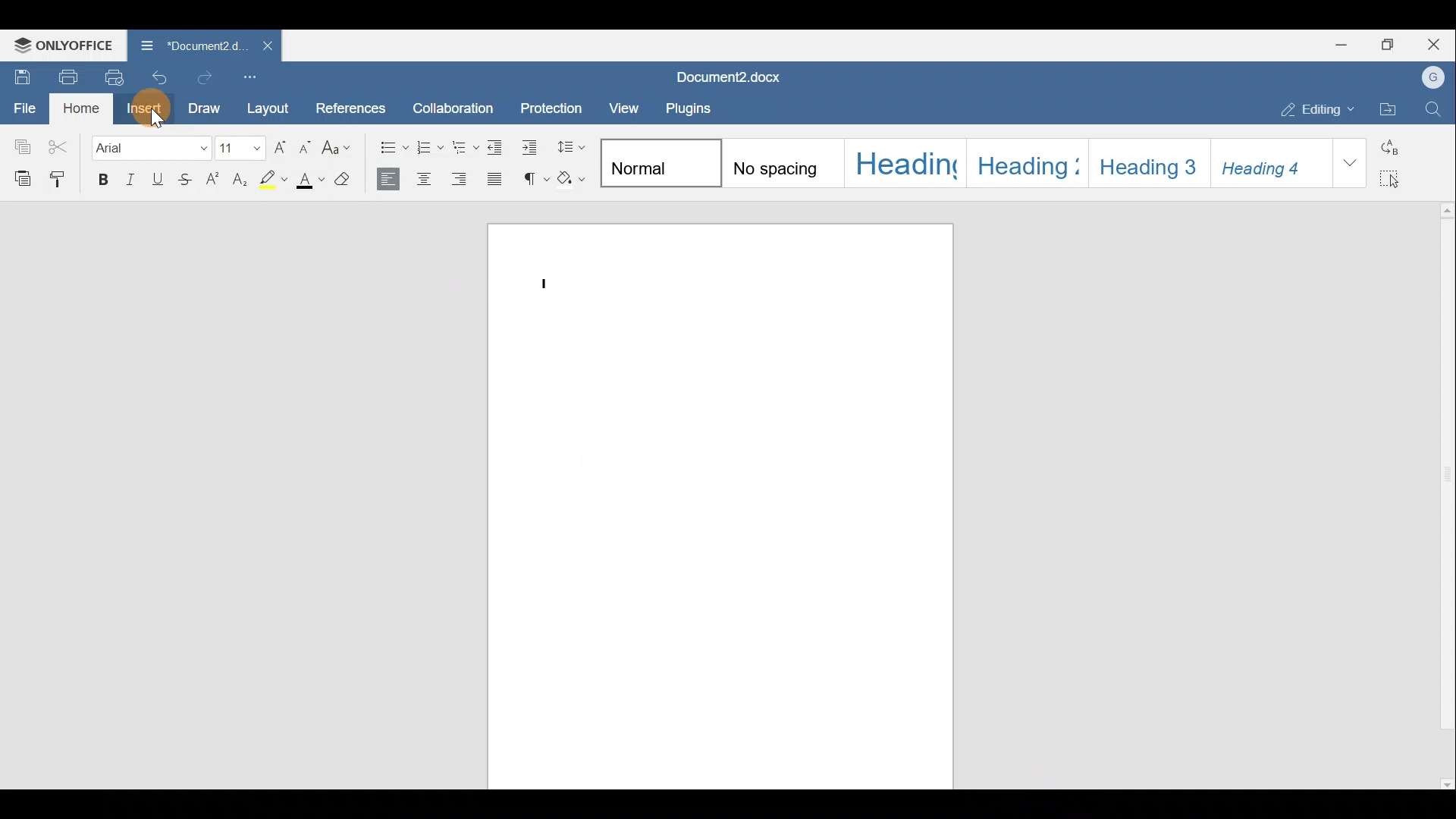  Describe the element at coordinates (149, 108) in the screenshot. I see `Cursor on Insert` at that location.